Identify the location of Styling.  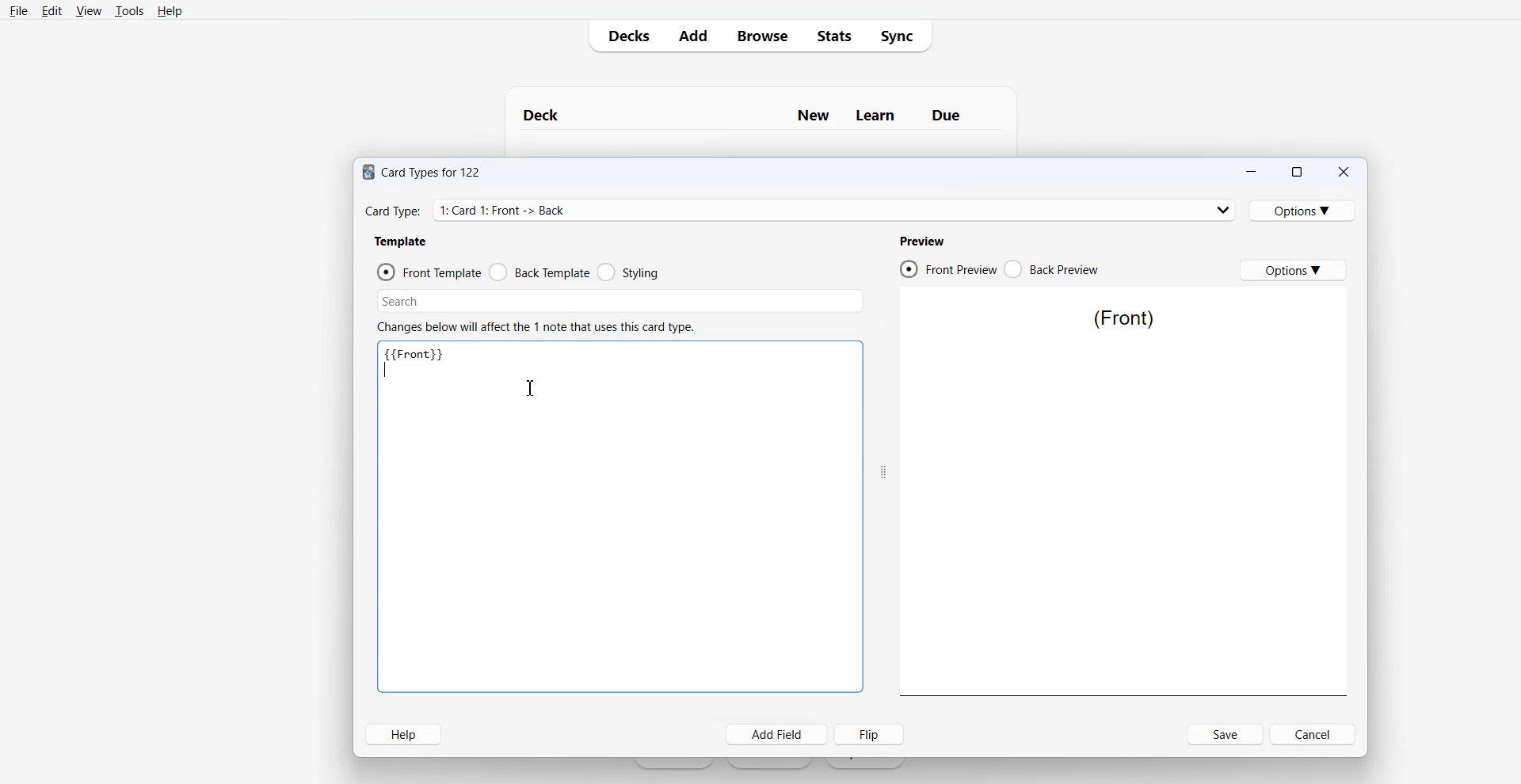
(630, 272).